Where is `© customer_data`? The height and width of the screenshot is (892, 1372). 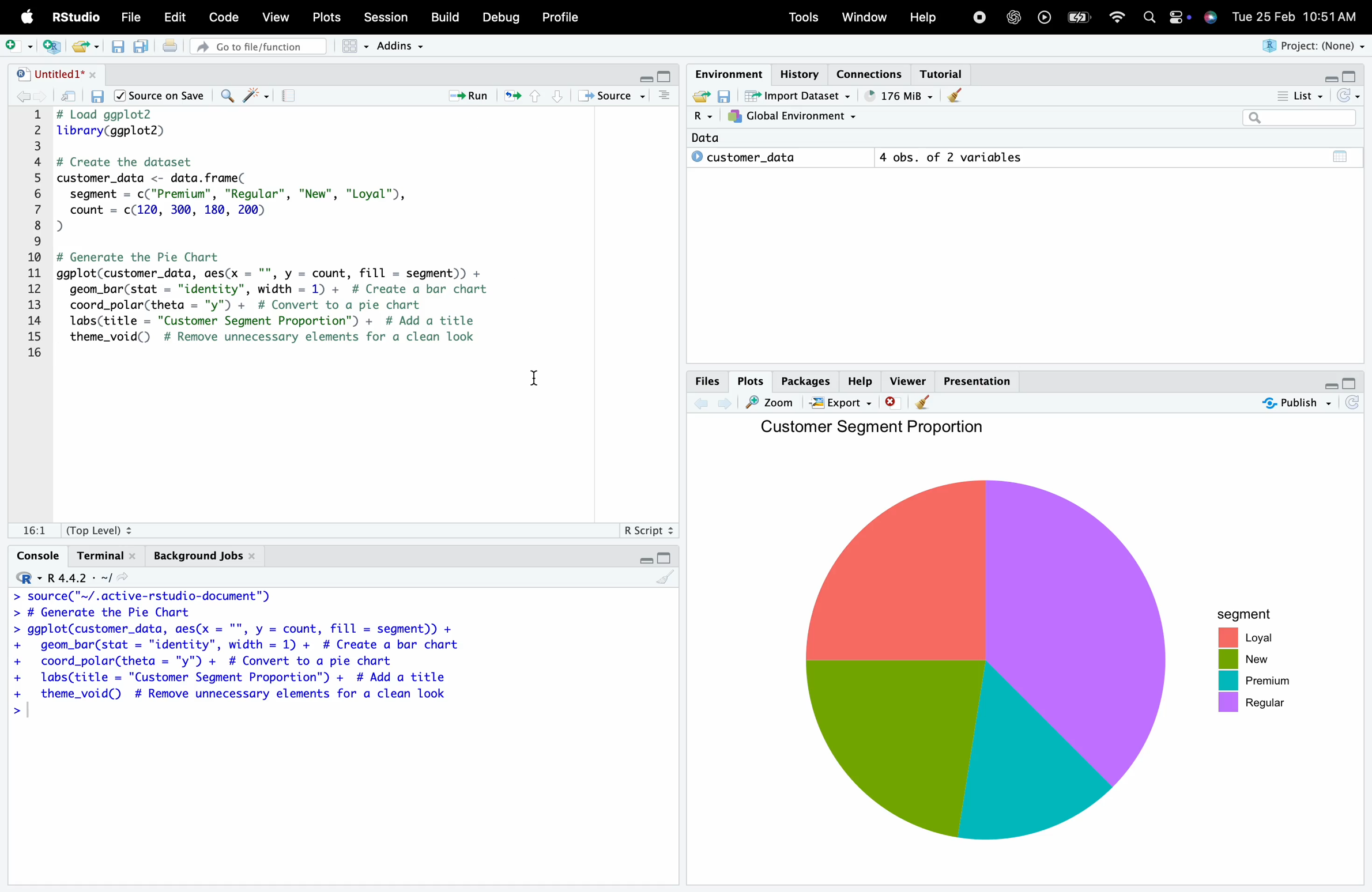 © customer_data is located at coordinates (759, 158).